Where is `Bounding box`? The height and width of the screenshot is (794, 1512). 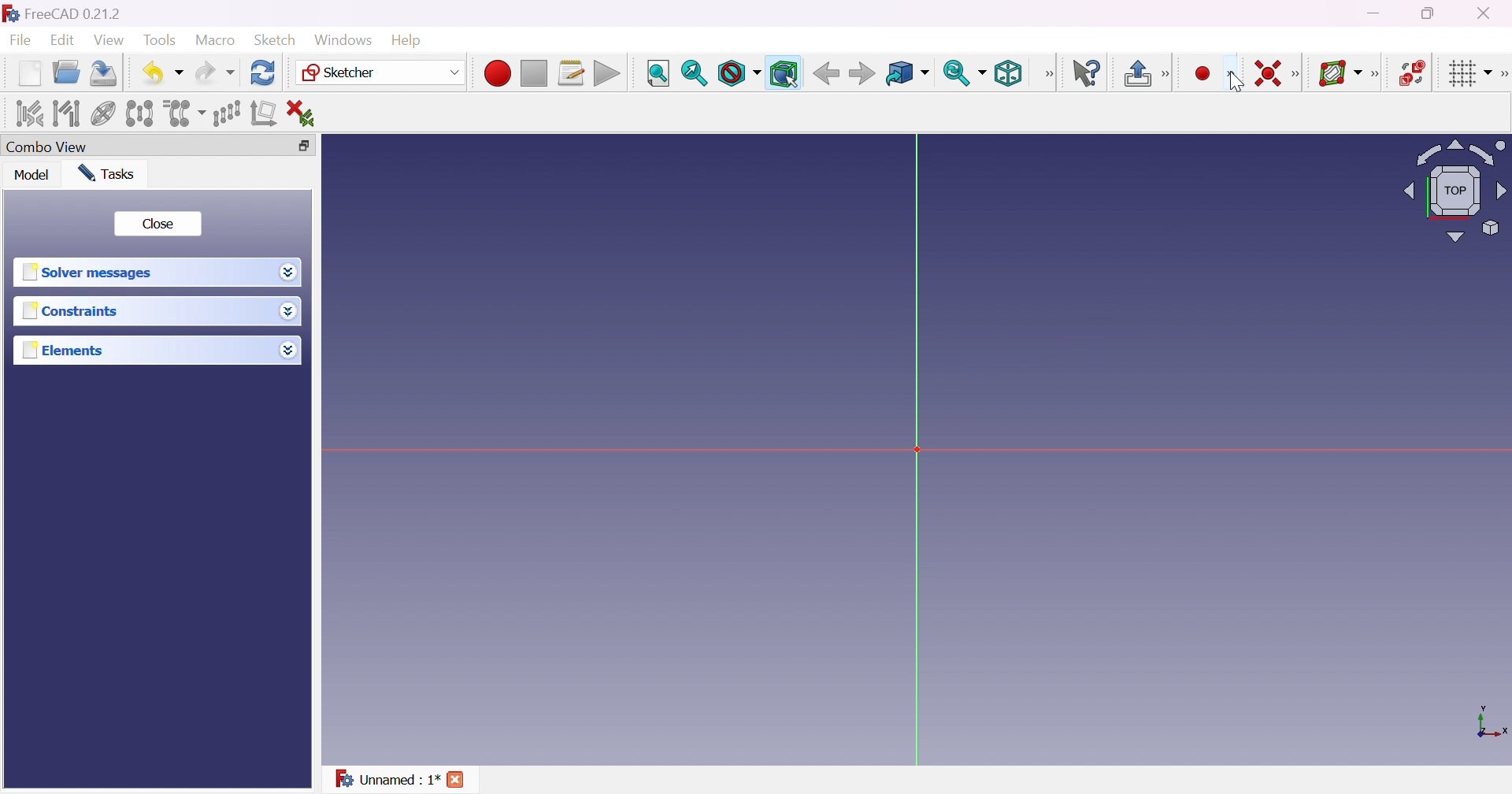
Bounding box is located at coordinates (784, 74).